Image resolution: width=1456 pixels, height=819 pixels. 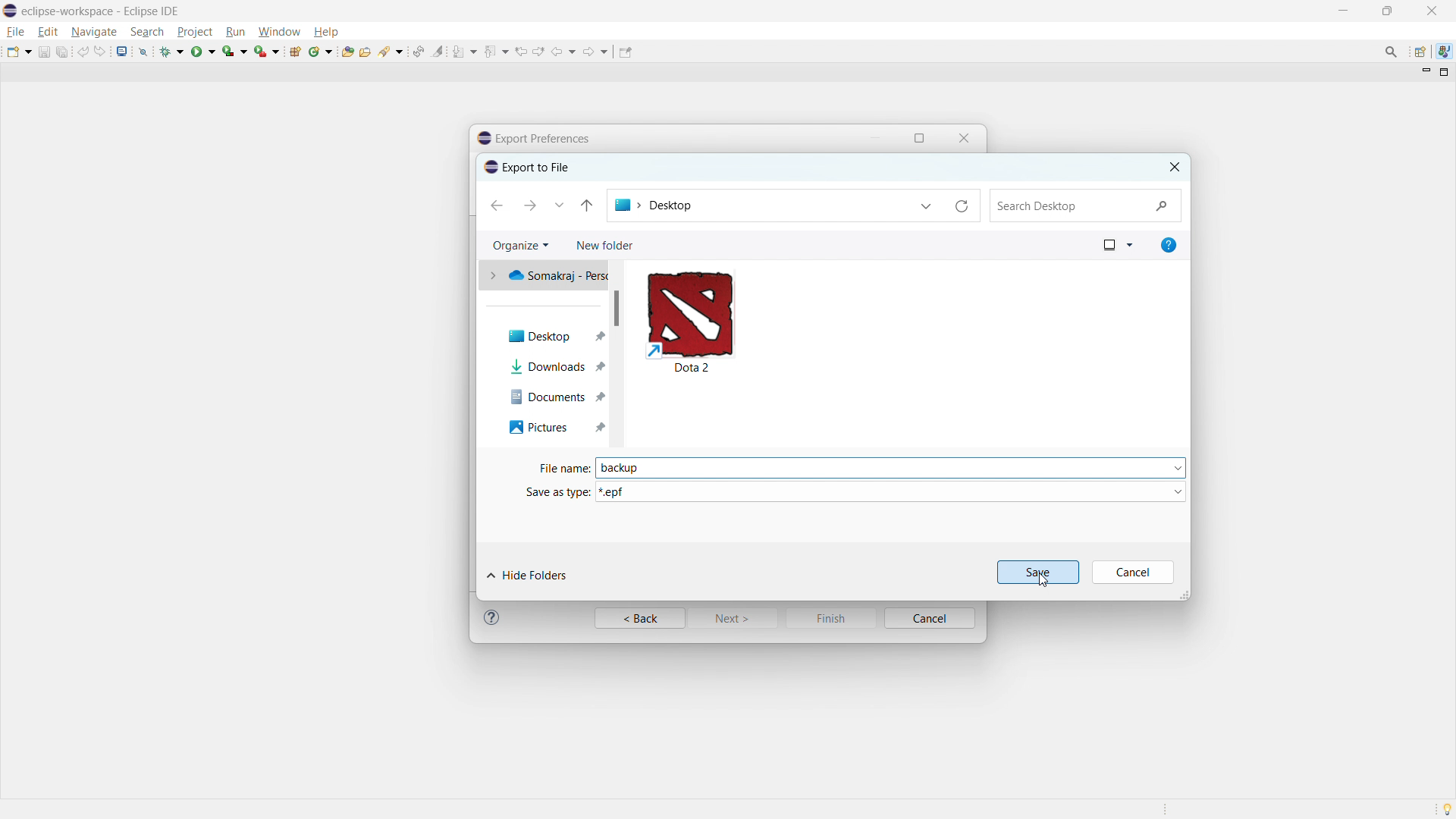 What do you see at coordinates (931, 618) in the screenshot?
I see `Cancel` at bounding box center [931, 618].